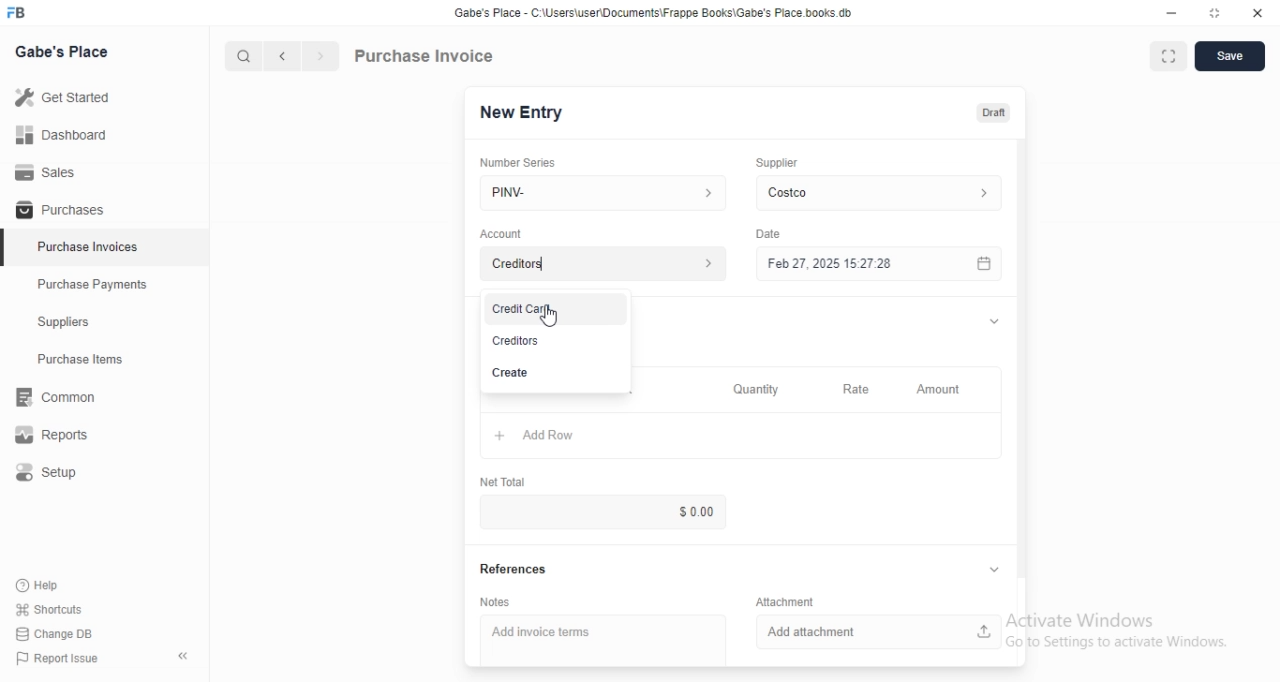 The height and width of the screenshot is (682, 1280). I want to click on Change DB, so click(54, 634).